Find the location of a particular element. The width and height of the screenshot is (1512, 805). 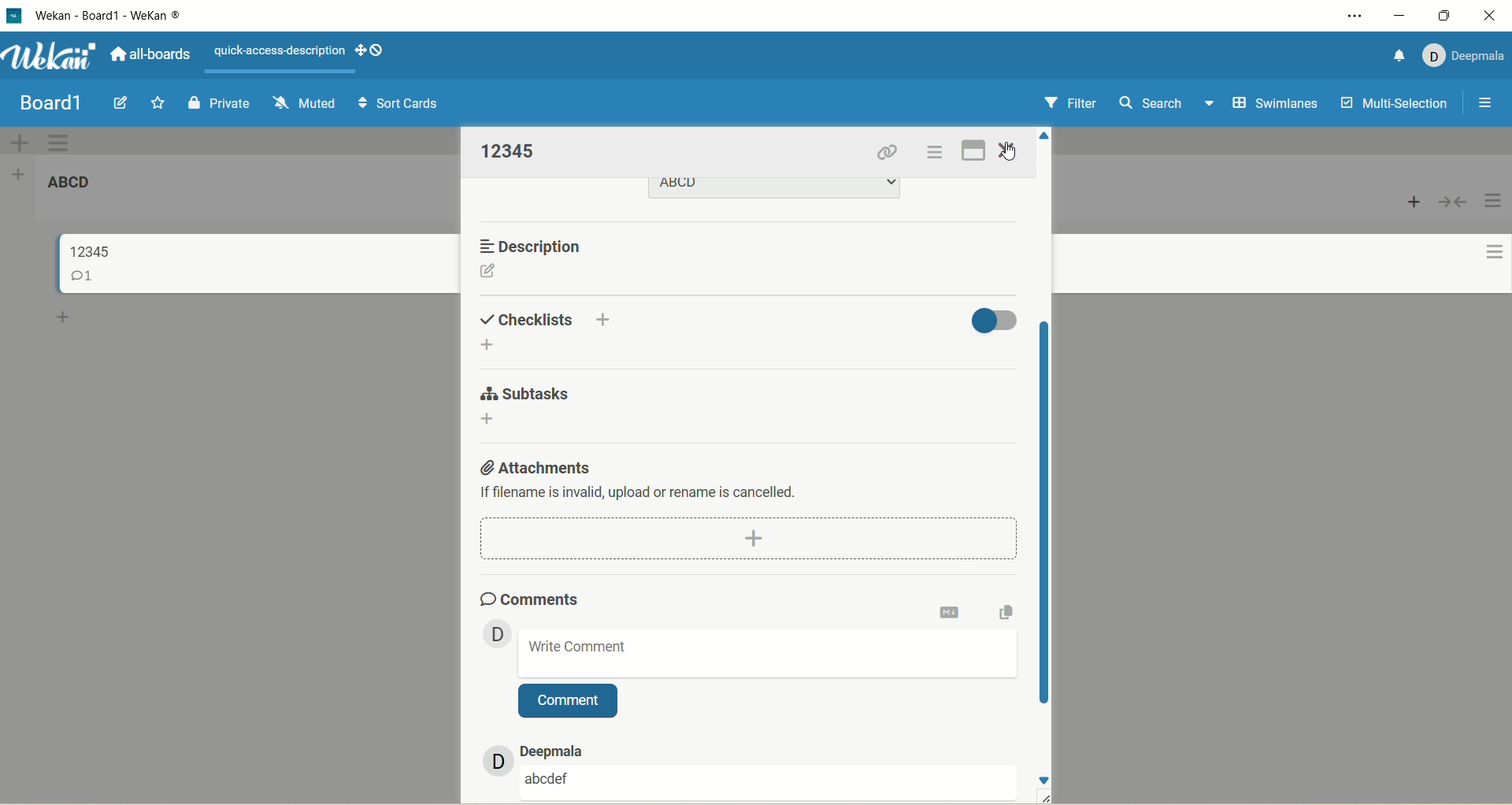

comment  is located at coordinates (87, 277).